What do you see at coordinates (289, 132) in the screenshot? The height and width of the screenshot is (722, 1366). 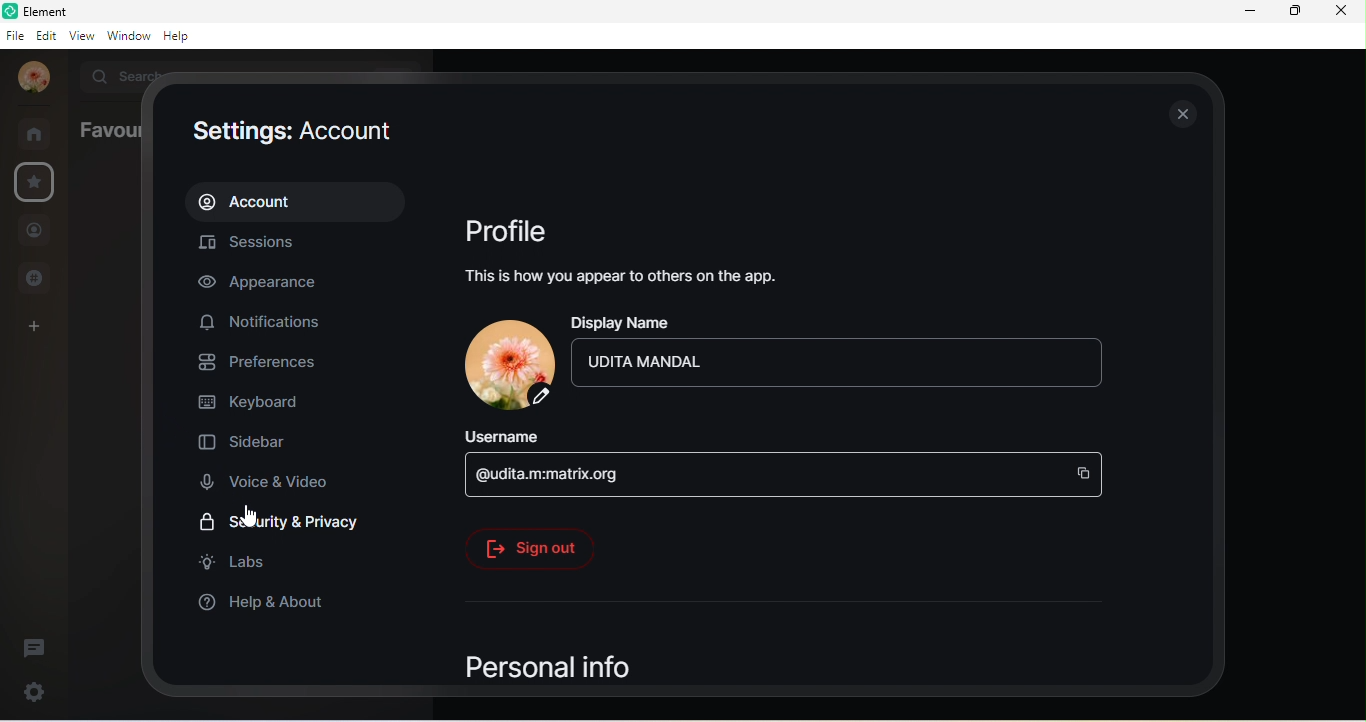 I see `setting account` at bounding box center [289, 132].